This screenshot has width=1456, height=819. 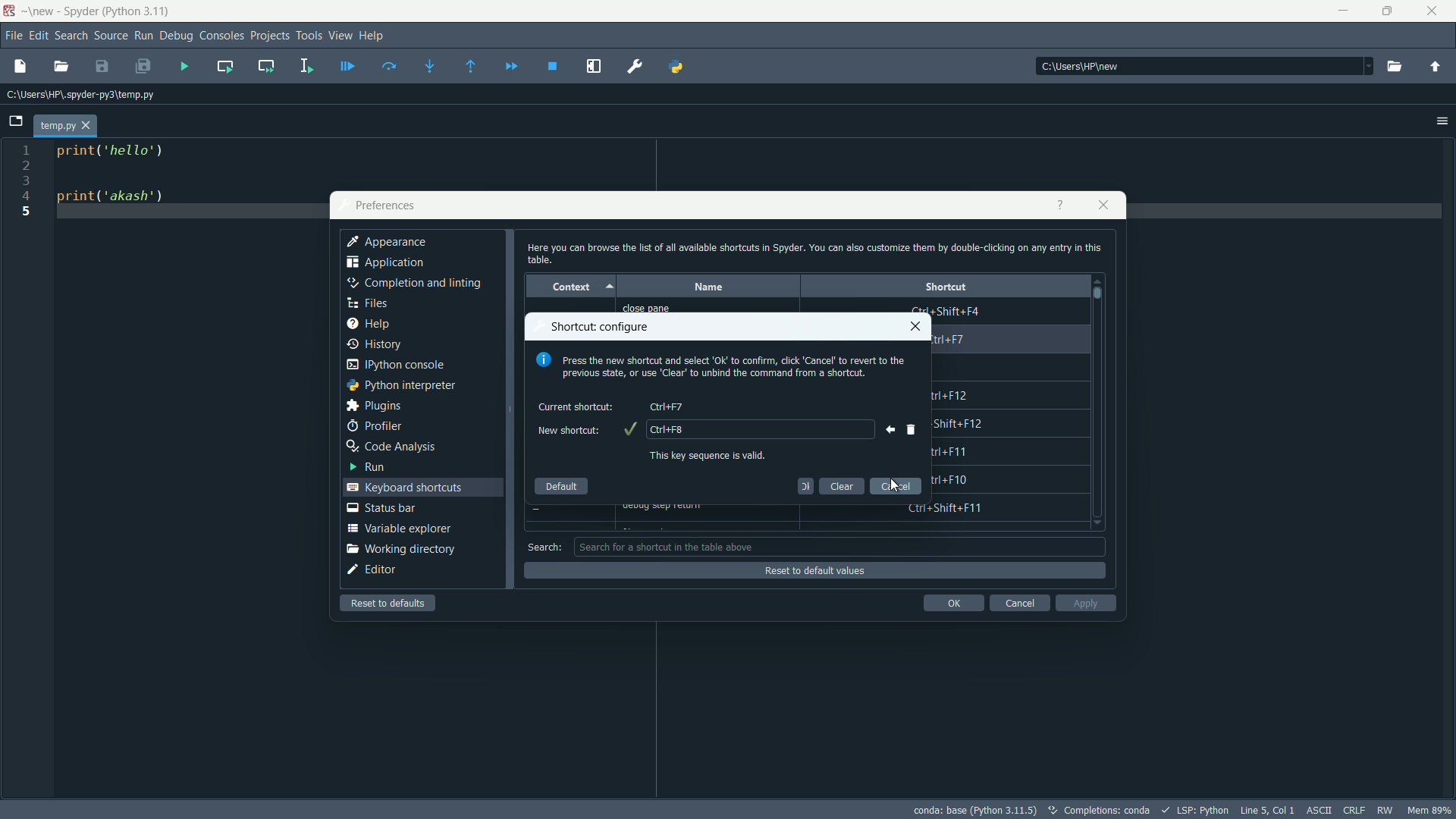 What do you see at coordinates (1353, 808) in the screenshot?
I see `file eol status` at bounding box center [1353, 808].